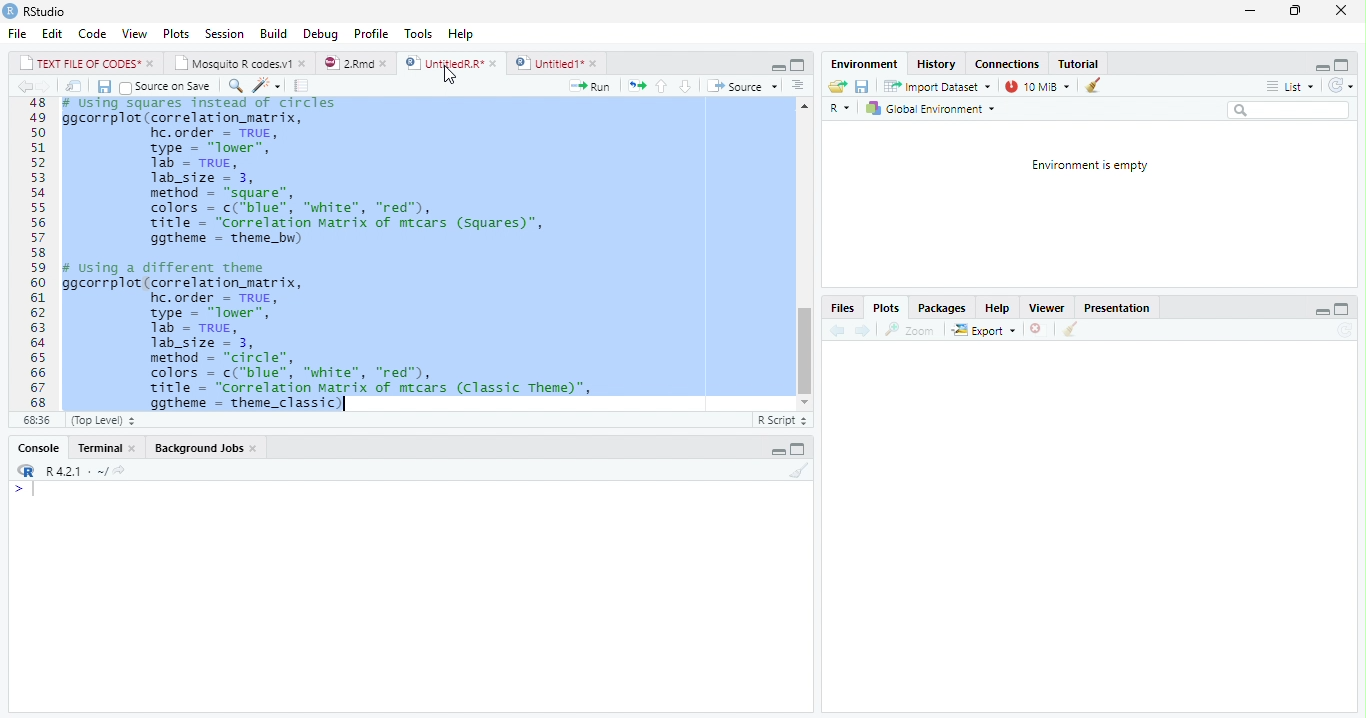 Image resolution: width=1366 pixels, height=718 pixels. Describe the element at coordinates (1347, 87) in the screenshot. I see `refresh` at that location.